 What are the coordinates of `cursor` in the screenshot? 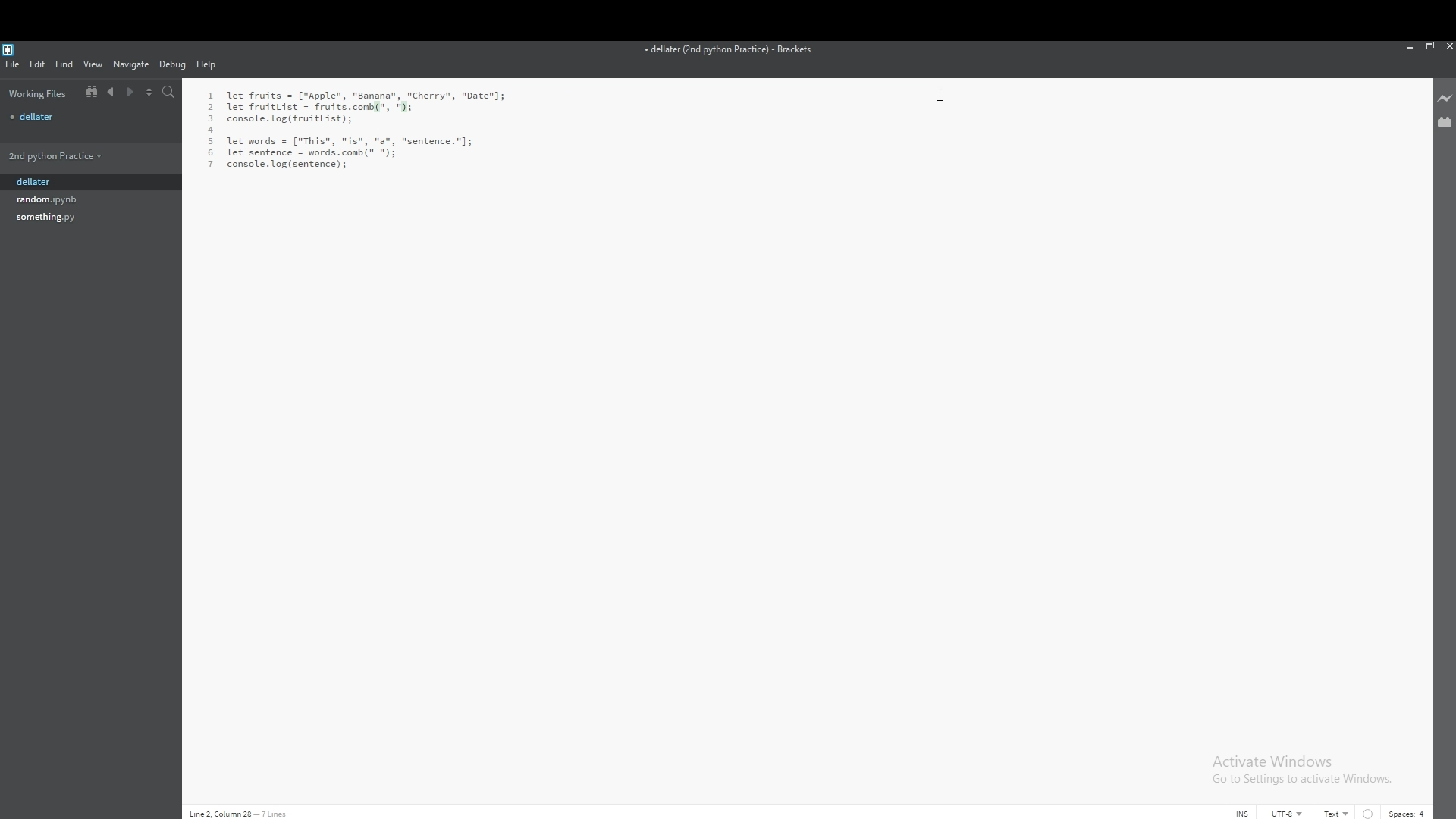 It's located at (943, 97).